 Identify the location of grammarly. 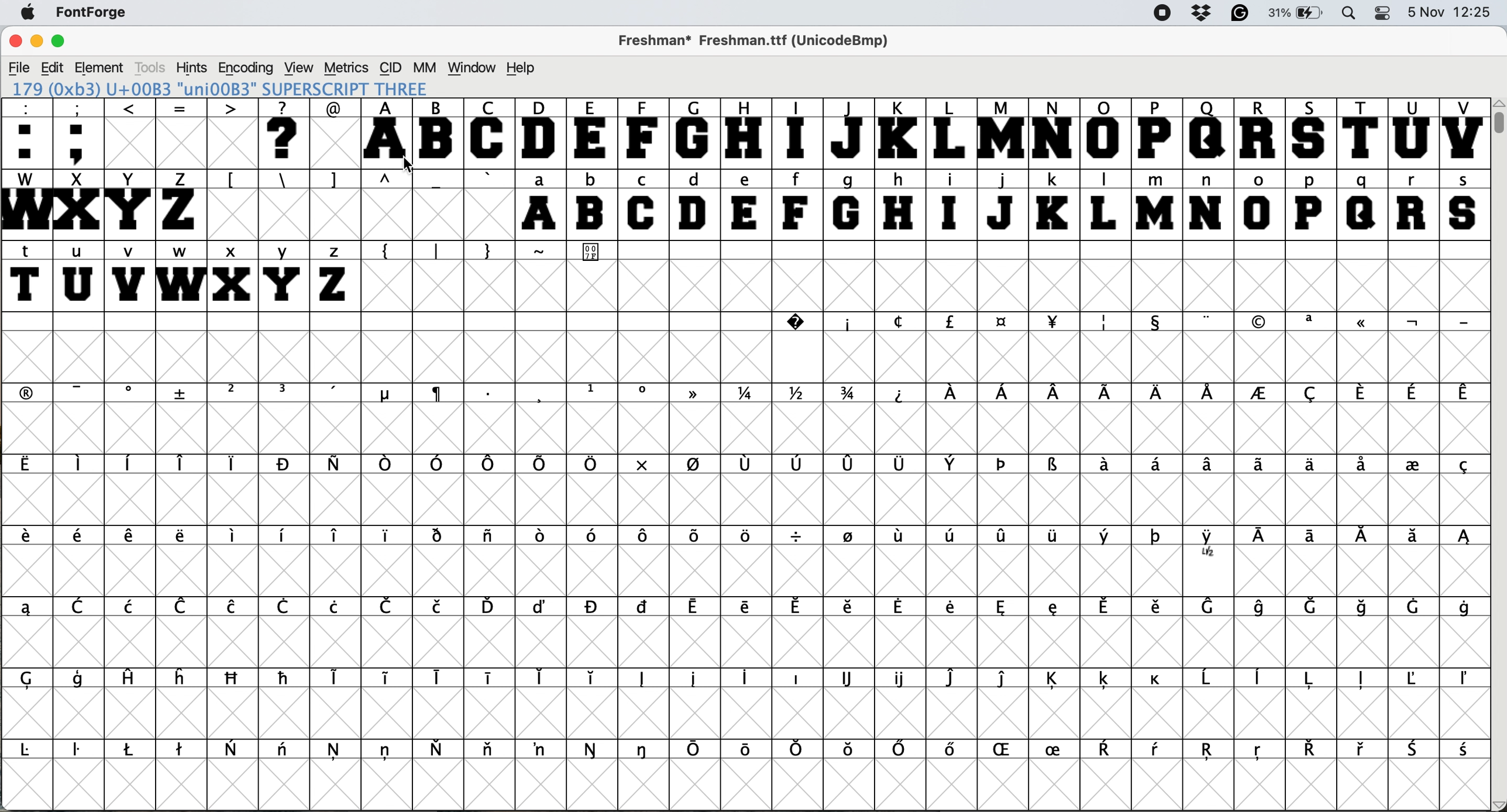
(1242, 15).